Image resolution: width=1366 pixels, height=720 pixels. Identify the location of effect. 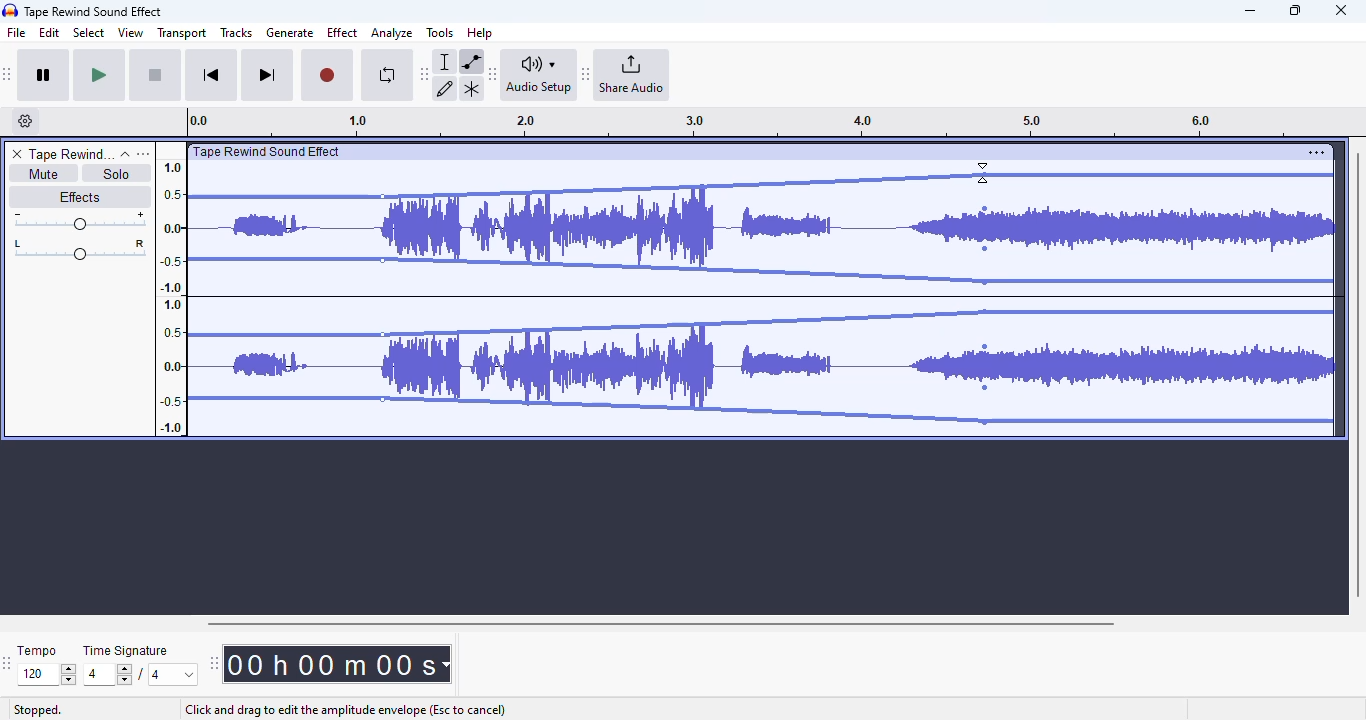
(342, 32).